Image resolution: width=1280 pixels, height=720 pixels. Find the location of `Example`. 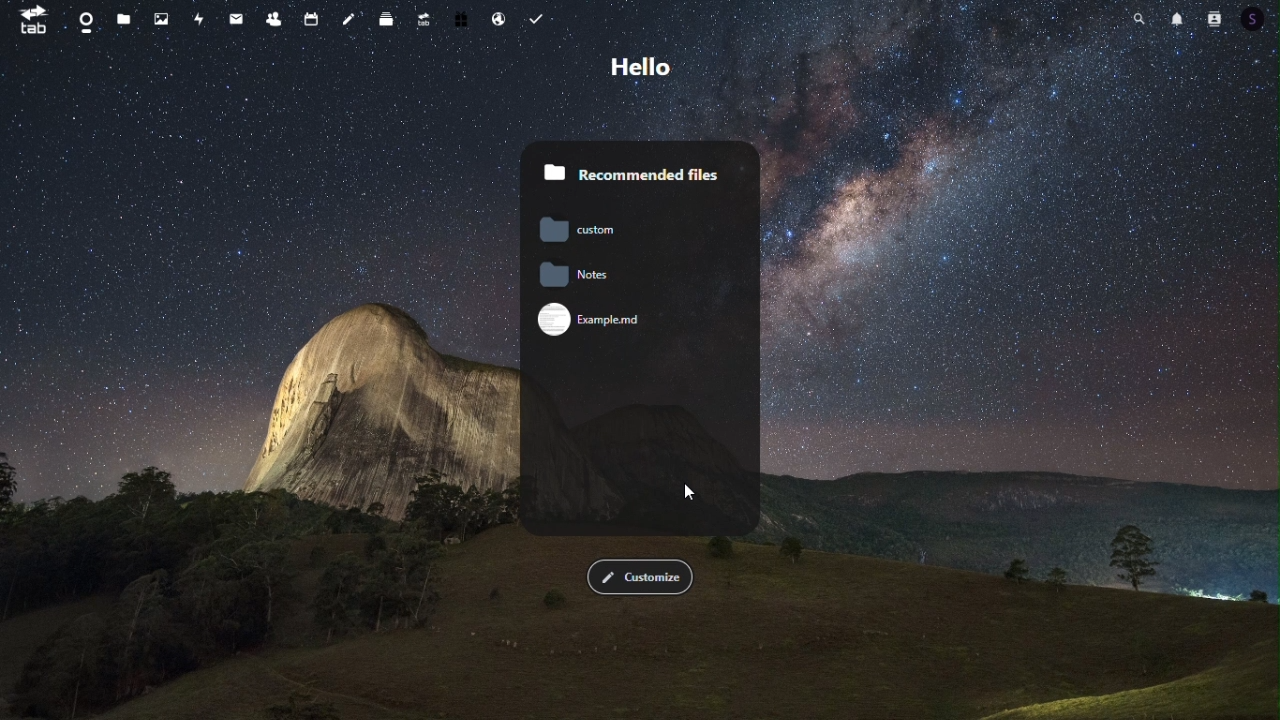

Example is located at coordinates (597, 321).